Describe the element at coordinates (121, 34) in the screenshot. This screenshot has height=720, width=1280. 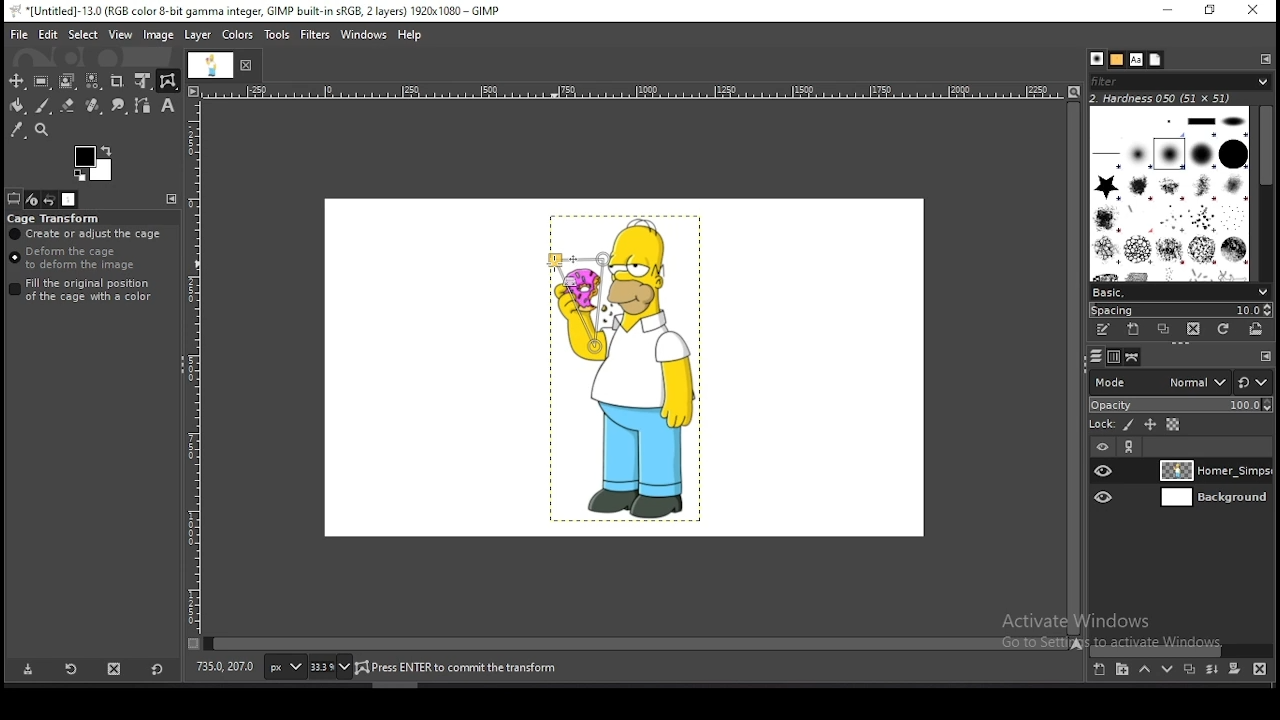
I see `view` at that location.